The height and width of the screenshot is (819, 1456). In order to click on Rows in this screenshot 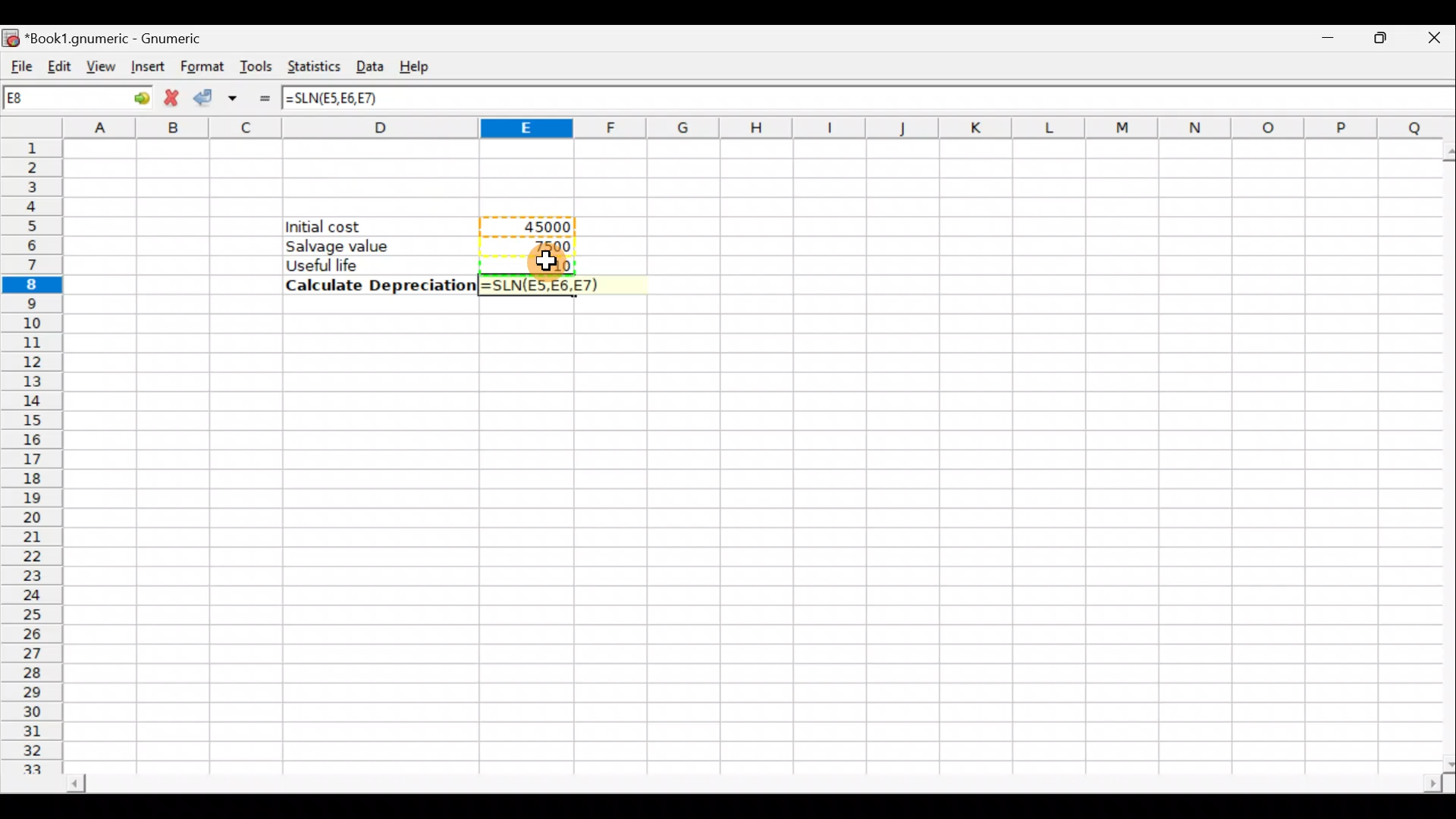, I will do `click(36, 458)`.